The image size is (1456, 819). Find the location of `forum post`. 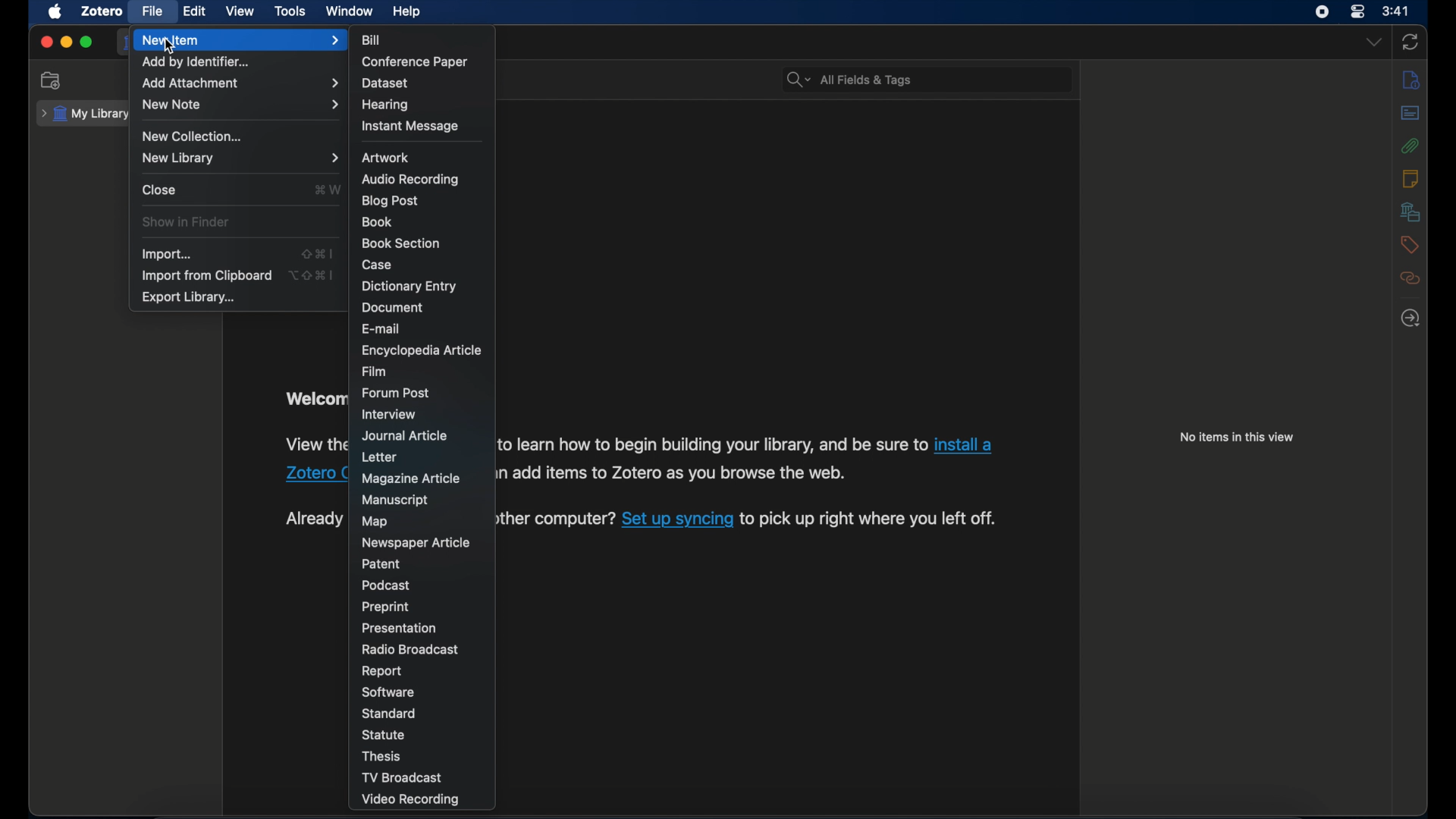

forum post is located at coordinates (397, 393).